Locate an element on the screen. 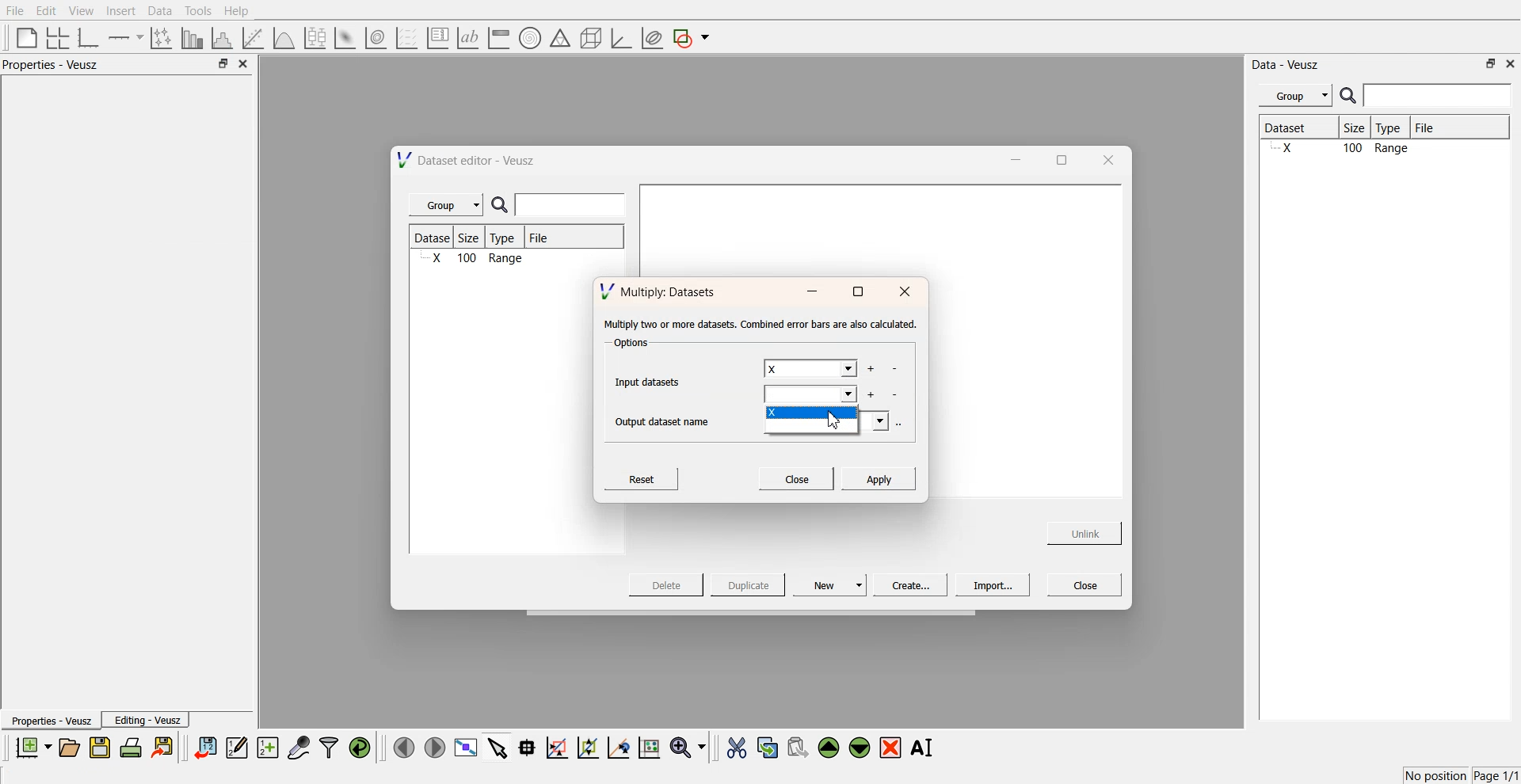 The height and width of the screenshot is (784, 1521). base graphs is located at coordinates (90, 37).